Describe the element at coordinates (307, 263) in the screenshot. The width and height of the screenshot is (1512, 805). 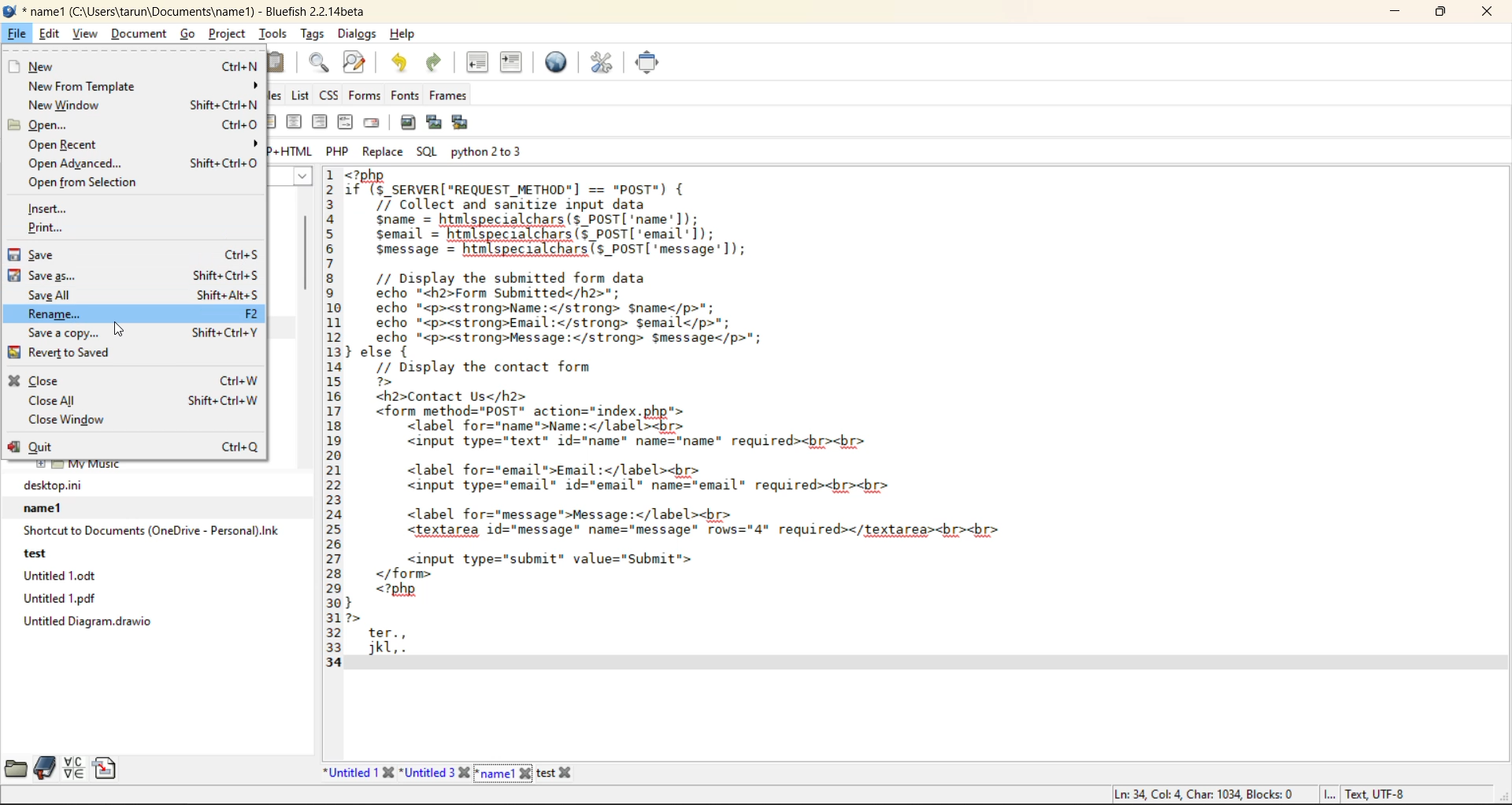
I see `vertical scroll bar` at that location.